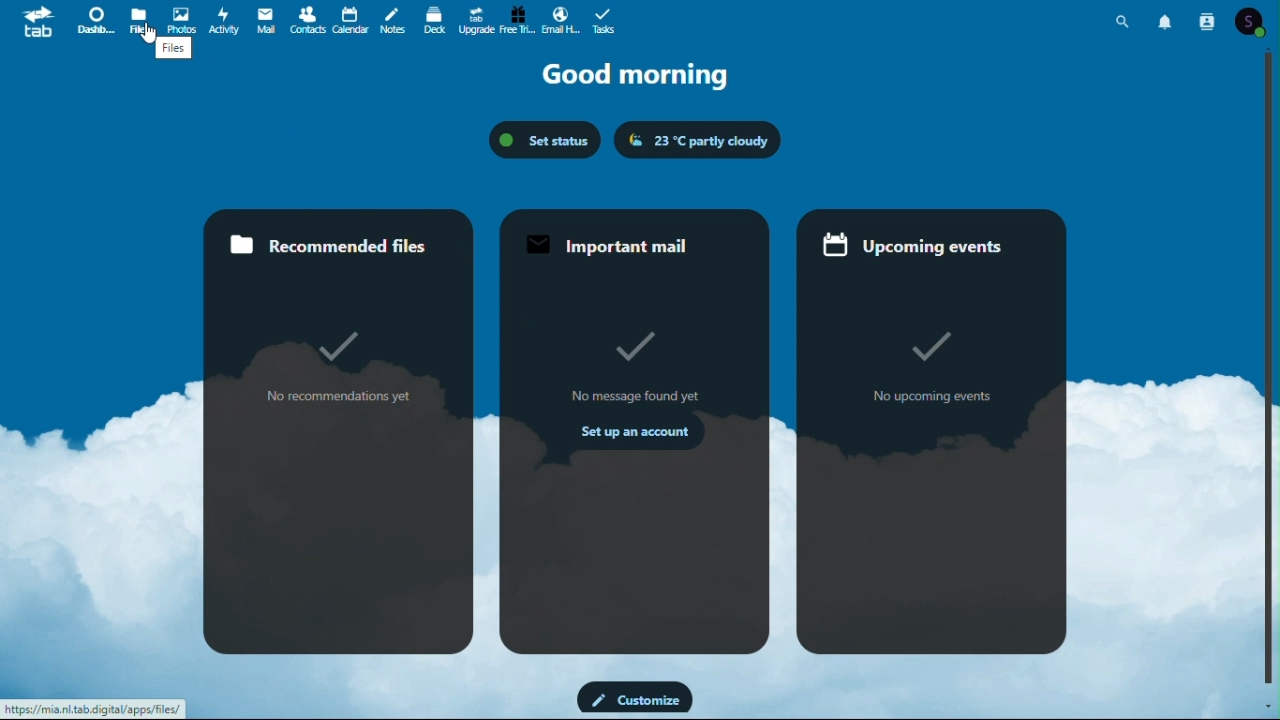 This screenshot has height=720, width=1280. What do you see at coordinates (36, 25) in the screenshot?
I see `tab` at bounding box center [36, 25].